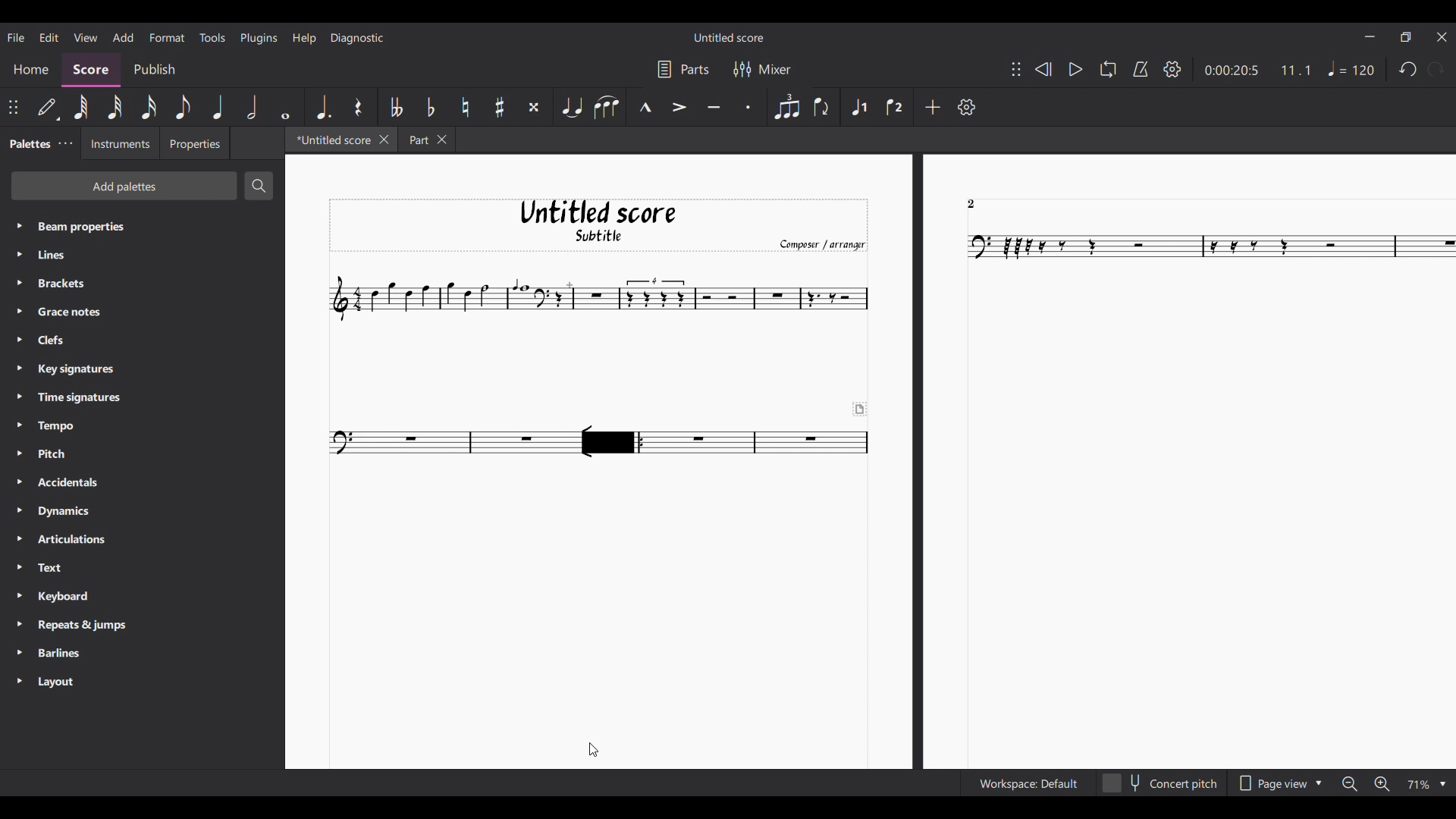 The width and height of the screenshot is (1456, 819). I want to click on Show in smaller tab, so click(1406, 36).